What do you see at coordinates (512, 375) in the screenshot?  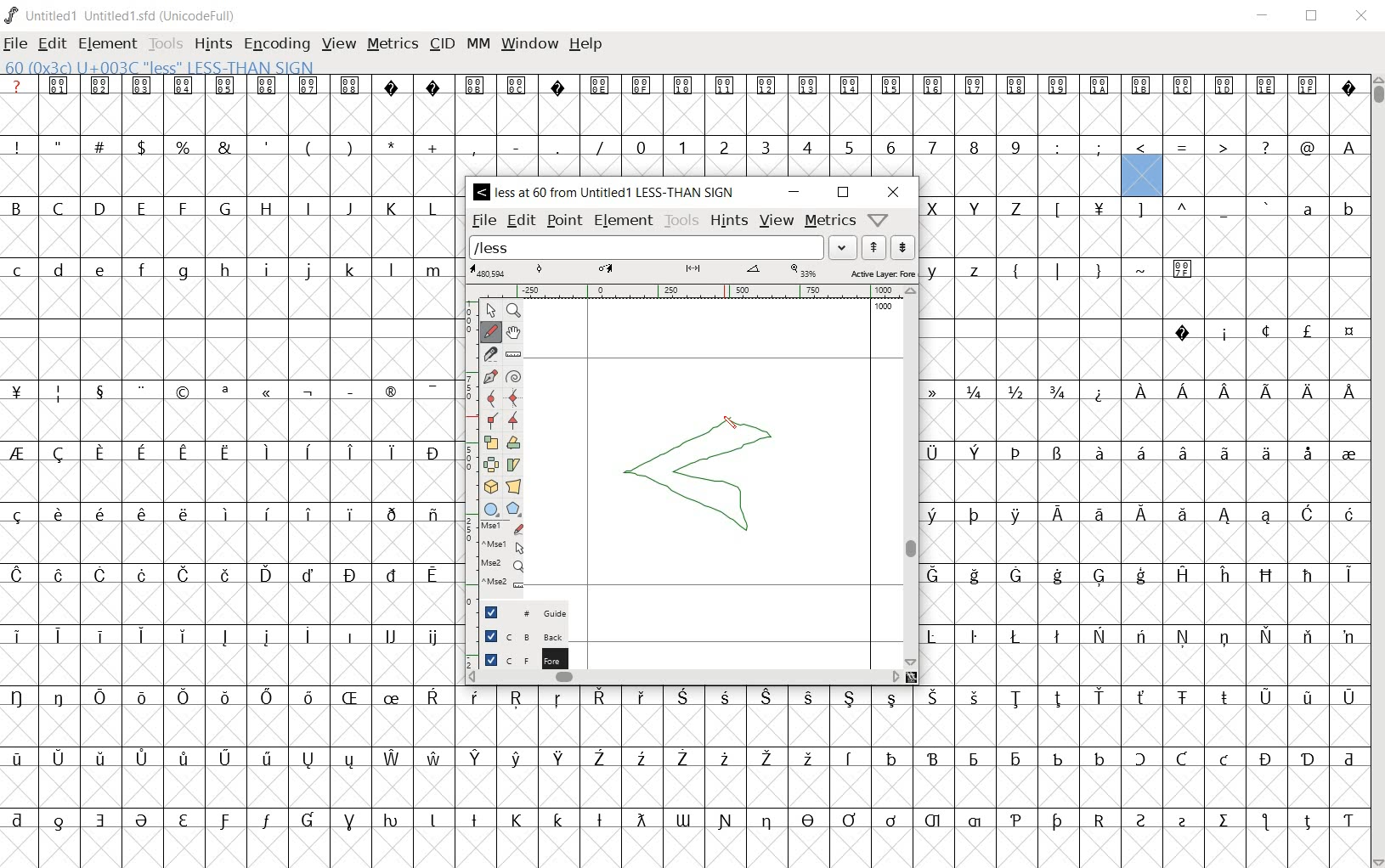 I see `change whether spiro is active or not"` at bounding box center [512, 375].